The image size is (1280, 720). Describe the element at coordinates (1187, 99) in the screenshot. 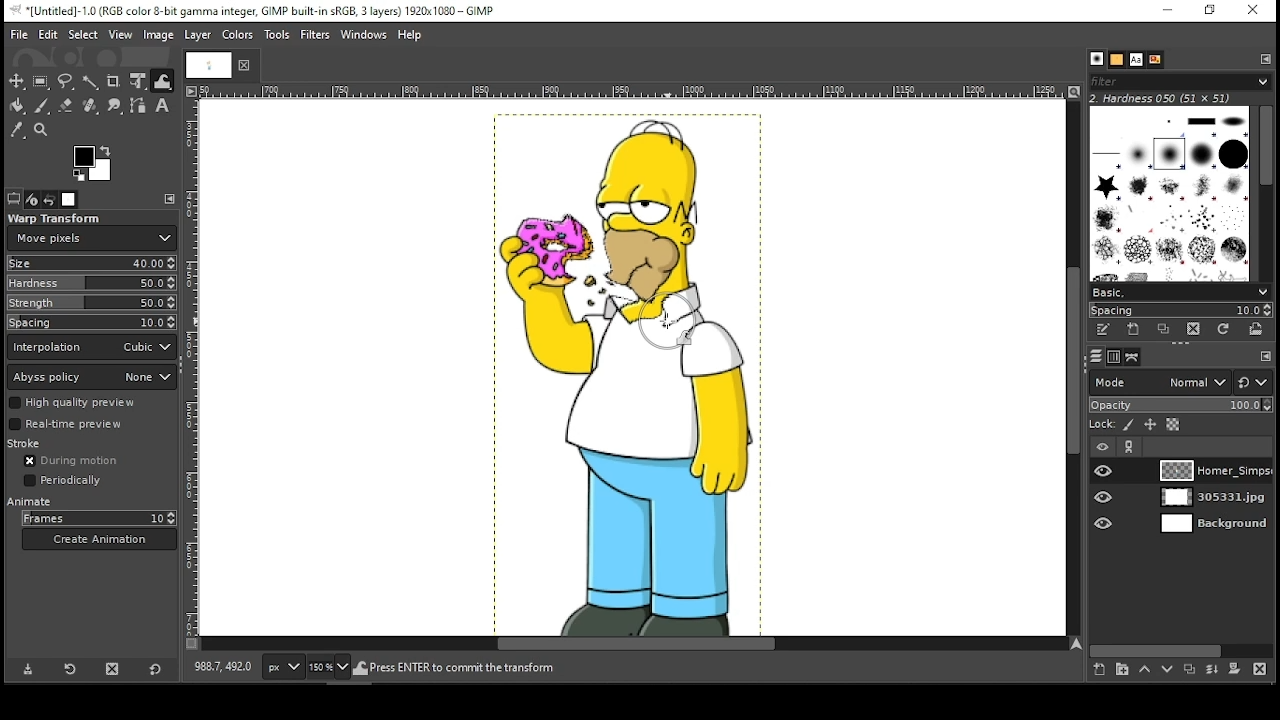

I see `hardness 050` at that location.